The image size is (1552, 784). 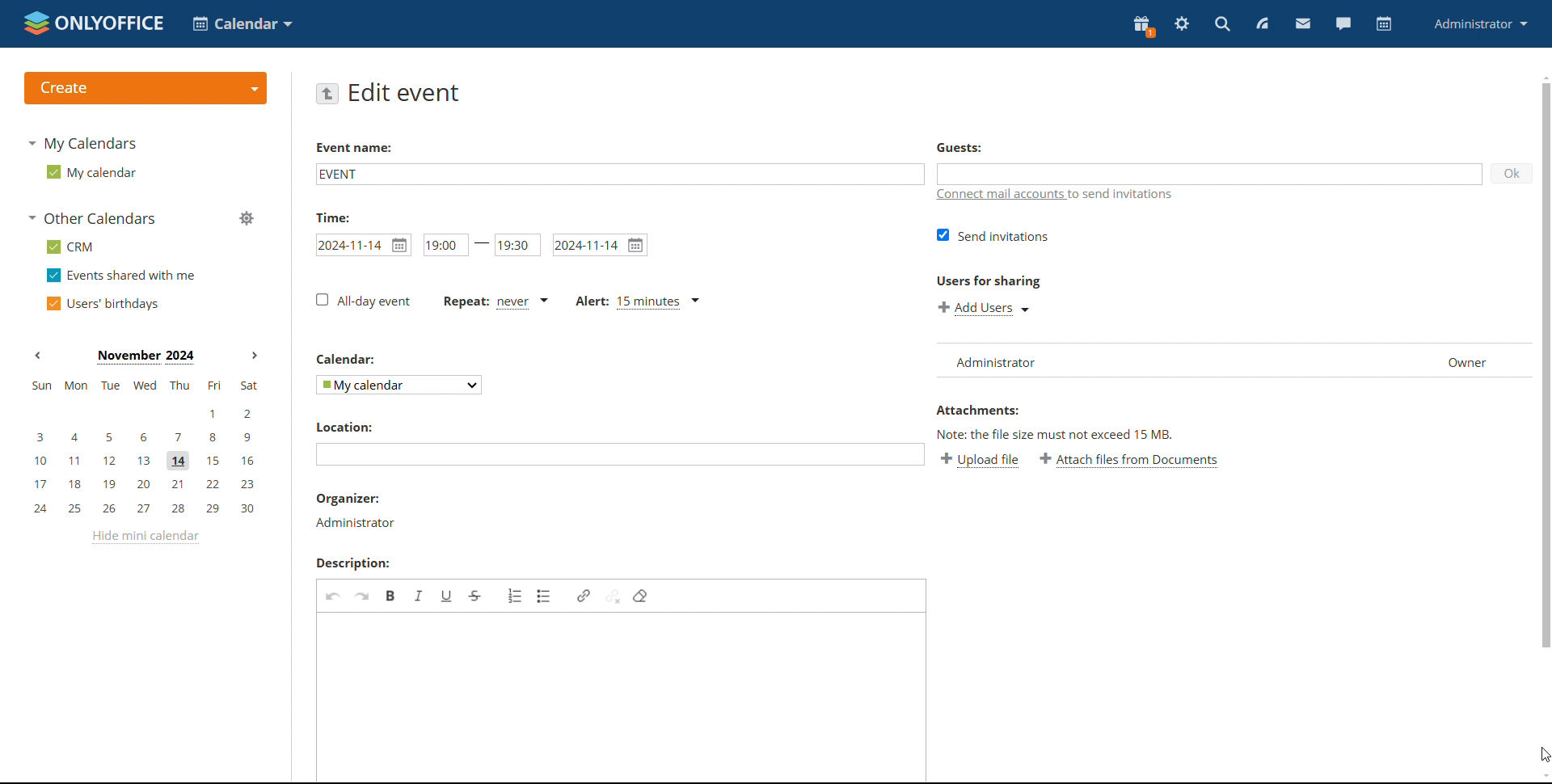 I want to click on next month, so click(x=254, y=354).